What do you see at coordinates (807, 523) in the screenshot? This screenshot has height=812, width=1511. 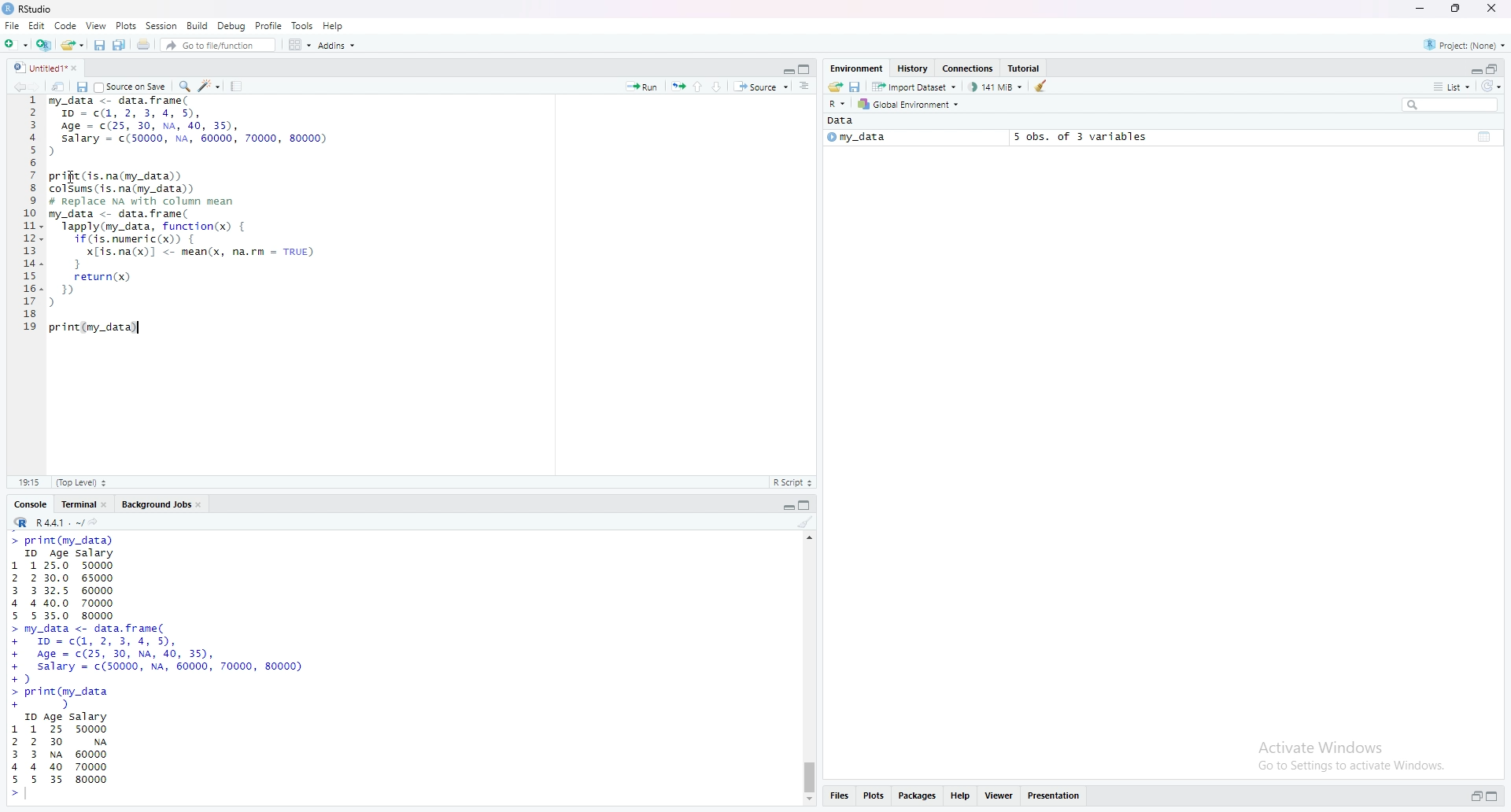 I see `clear console` at bounding box center [807, 523].